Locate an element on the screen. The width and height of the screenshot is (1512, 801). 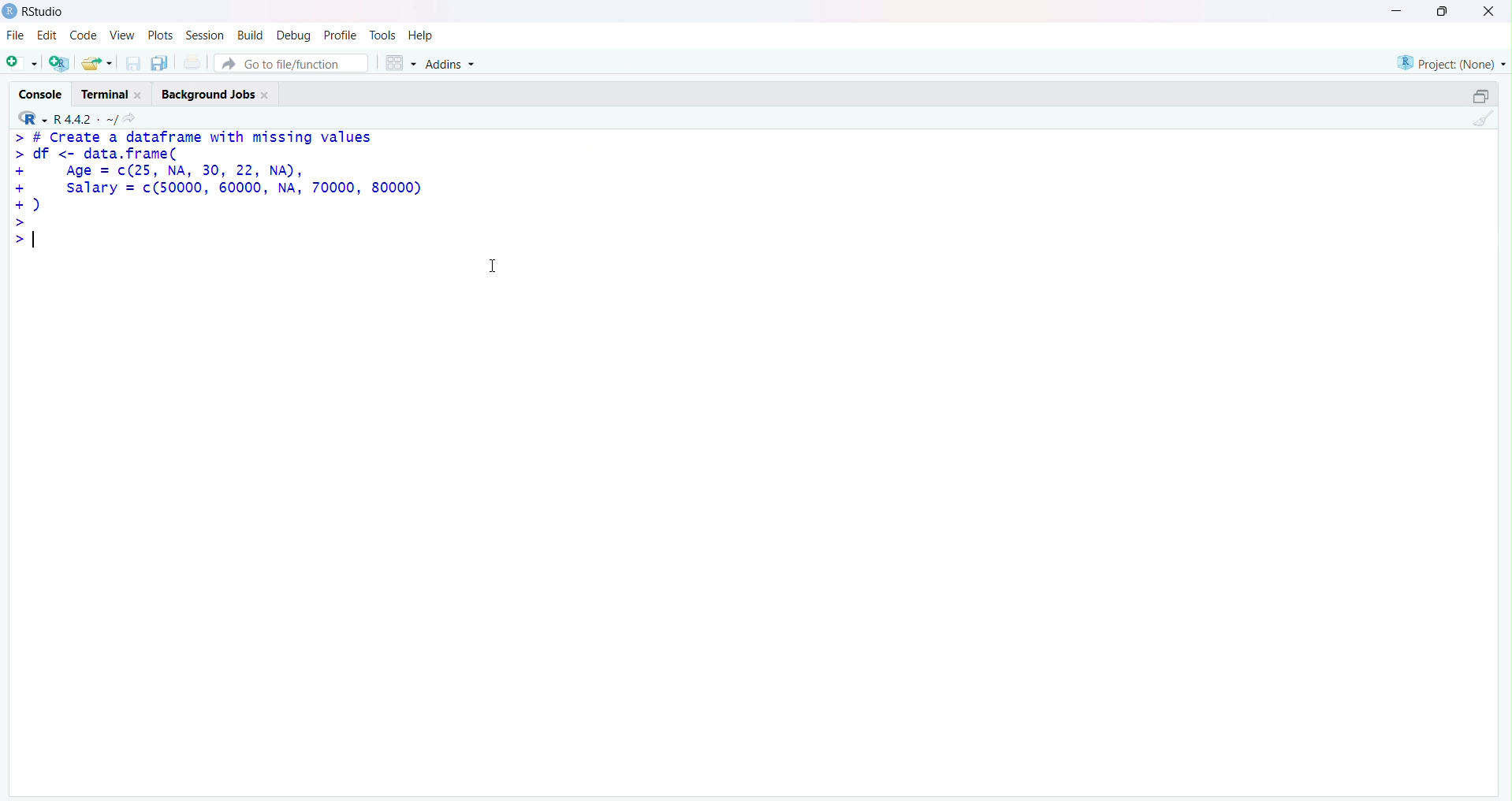
Background Jobs is located at coordinates (215, 92).